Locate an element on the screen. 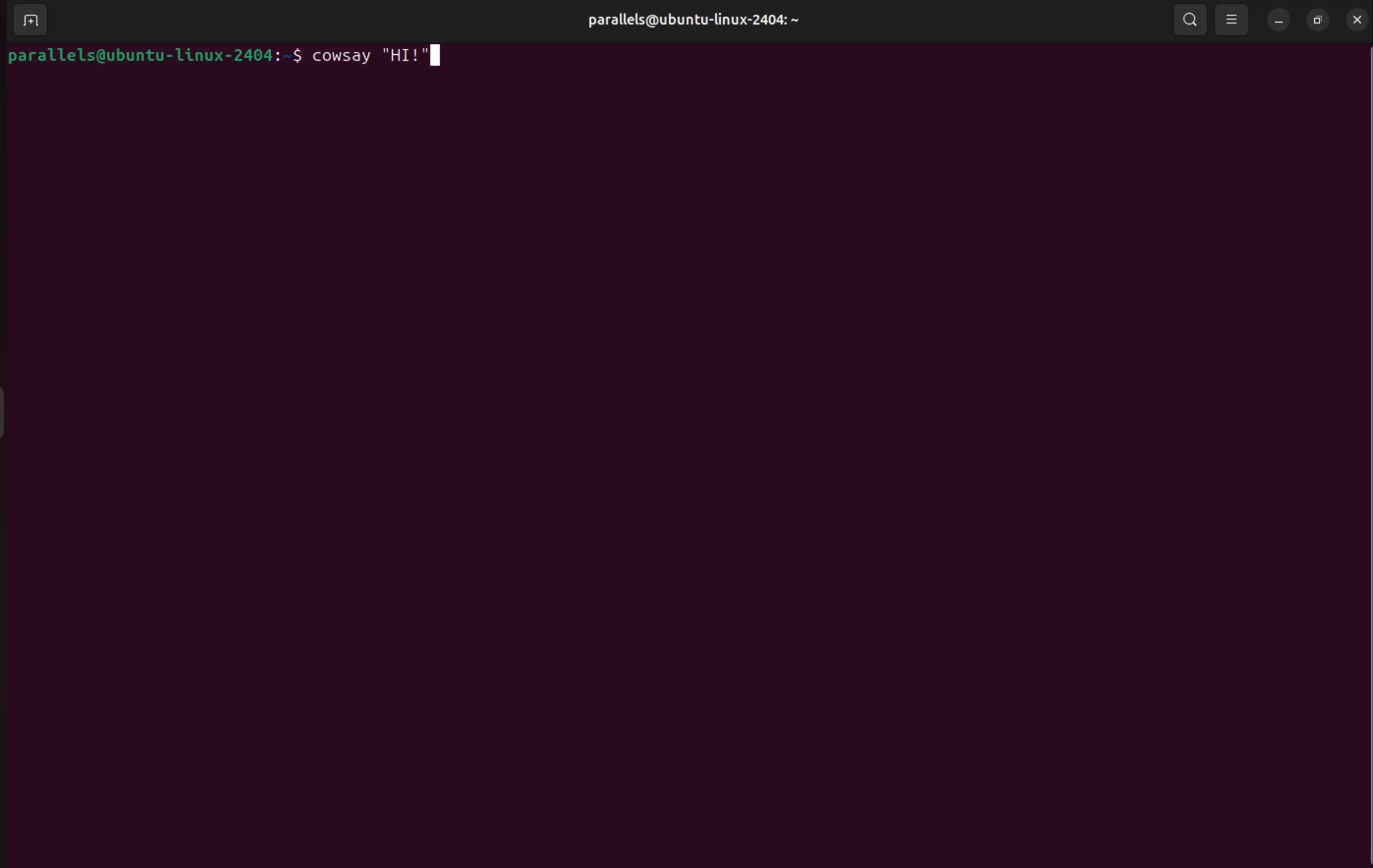  resize is located at coordinates (1317, 21).